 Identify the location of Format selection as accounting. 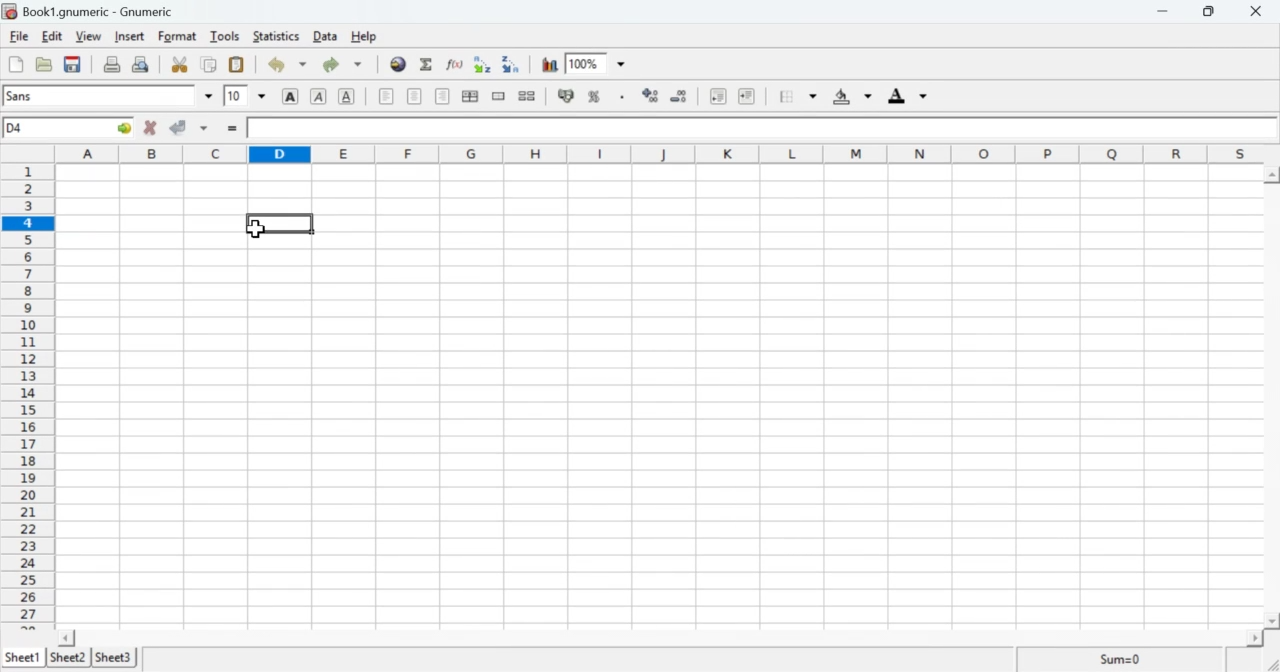
(565, 96).